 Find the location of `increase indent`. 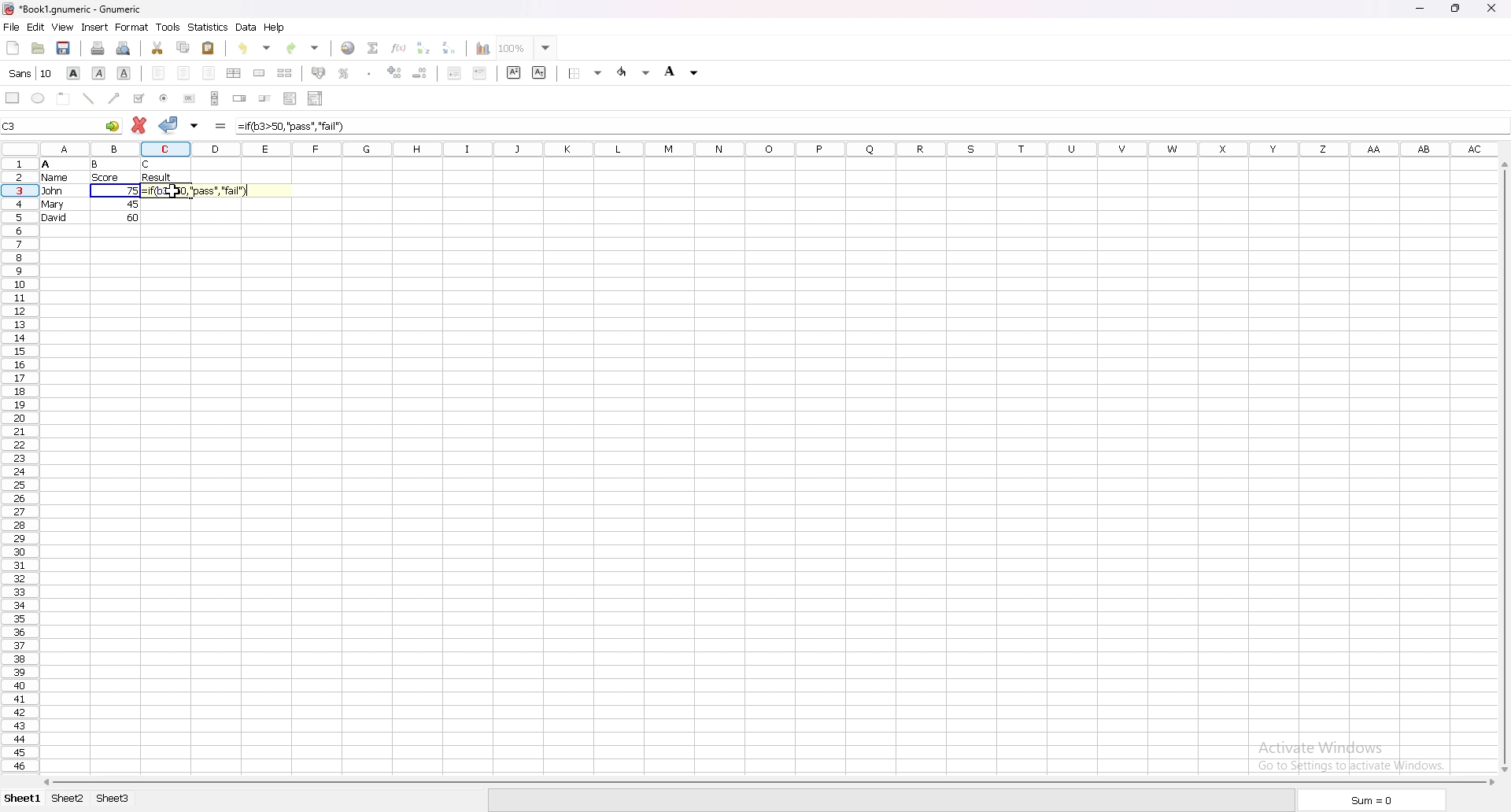

increase indent is located at coordinates (481, 73).